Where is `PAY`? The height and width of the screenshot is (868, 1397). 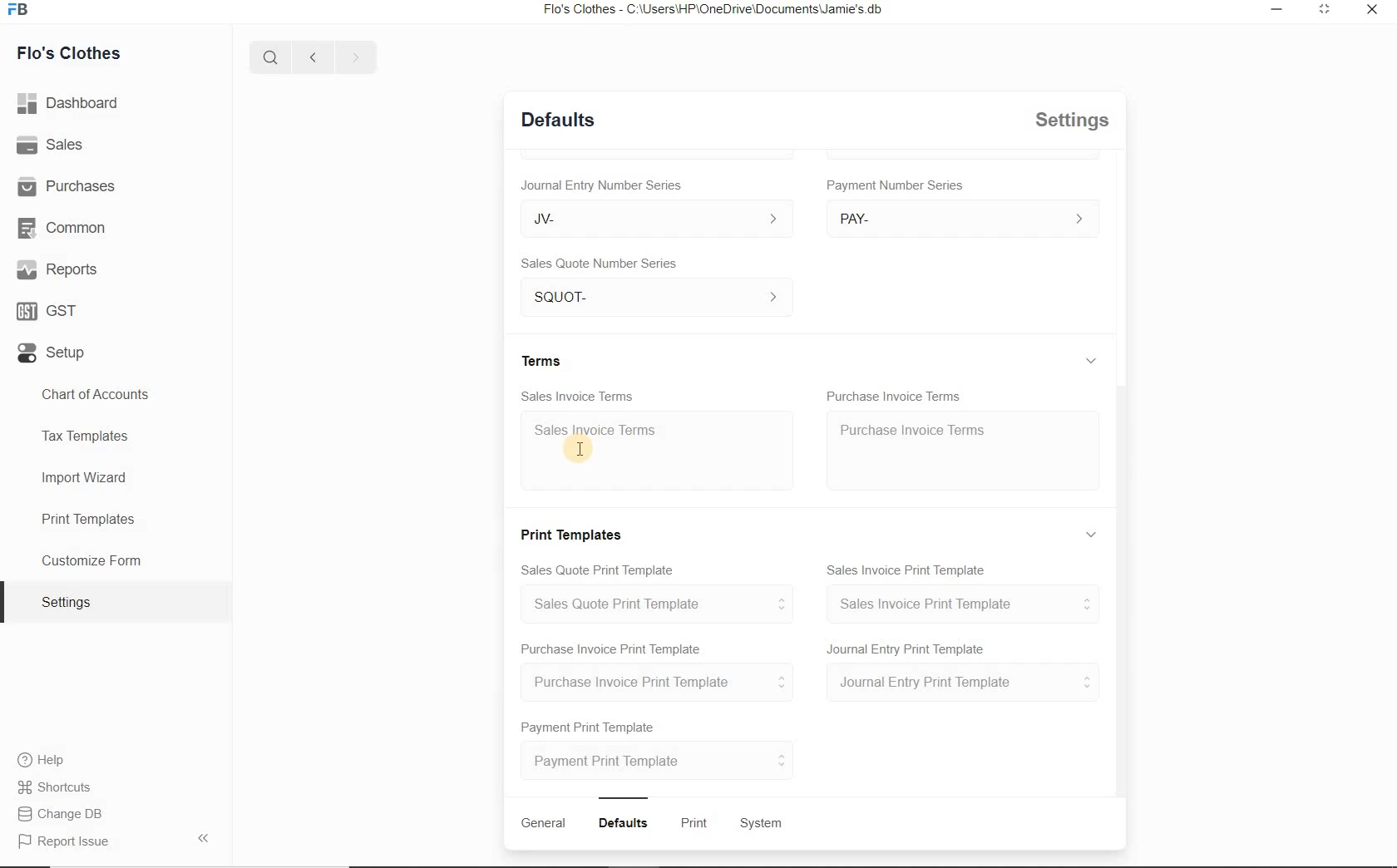 PAY is located at coordinates (963, 218).